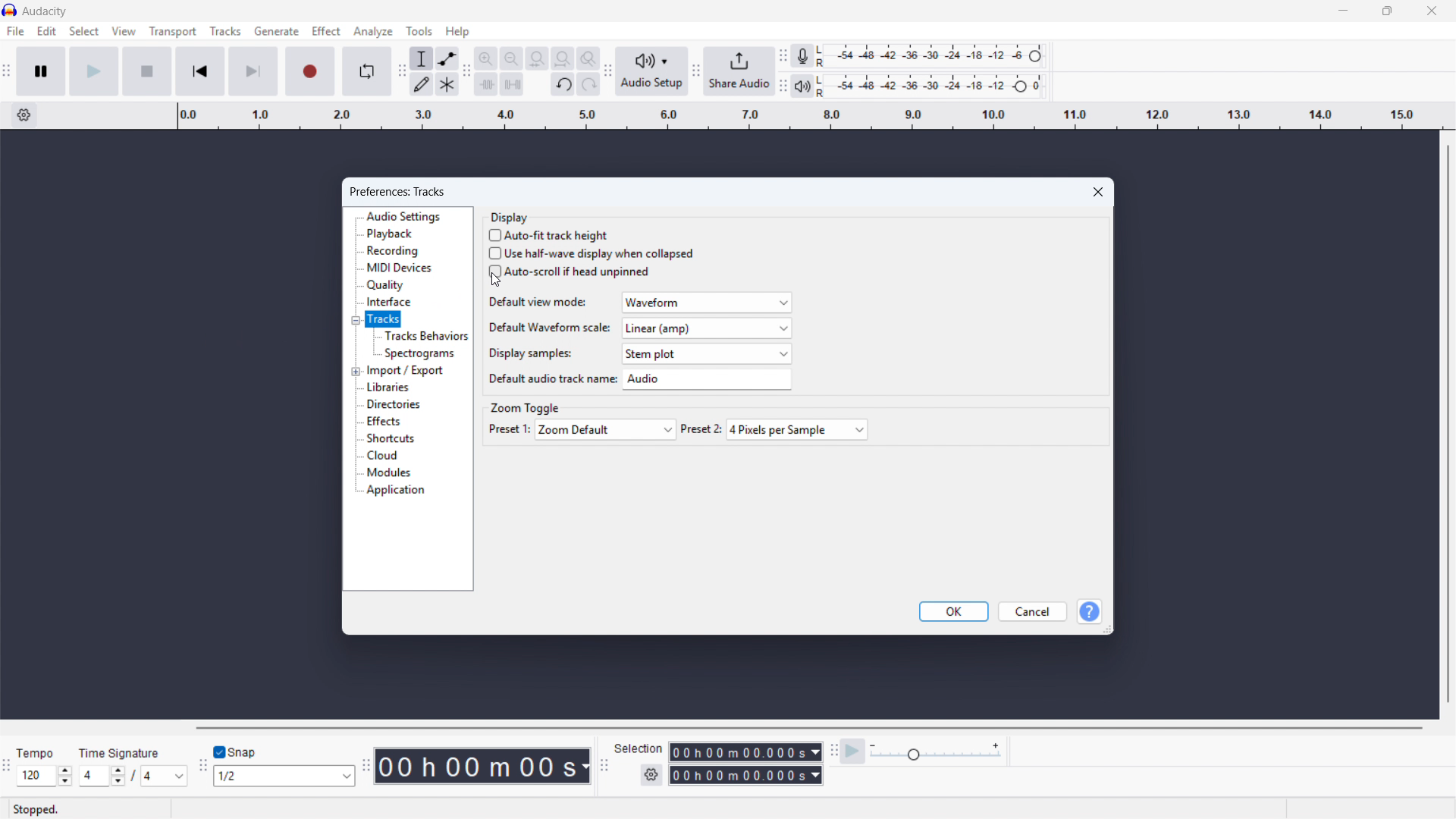  Describe the element at coordinates (7, 768) in the screenshot. I see `time signature toolbar` at that location.